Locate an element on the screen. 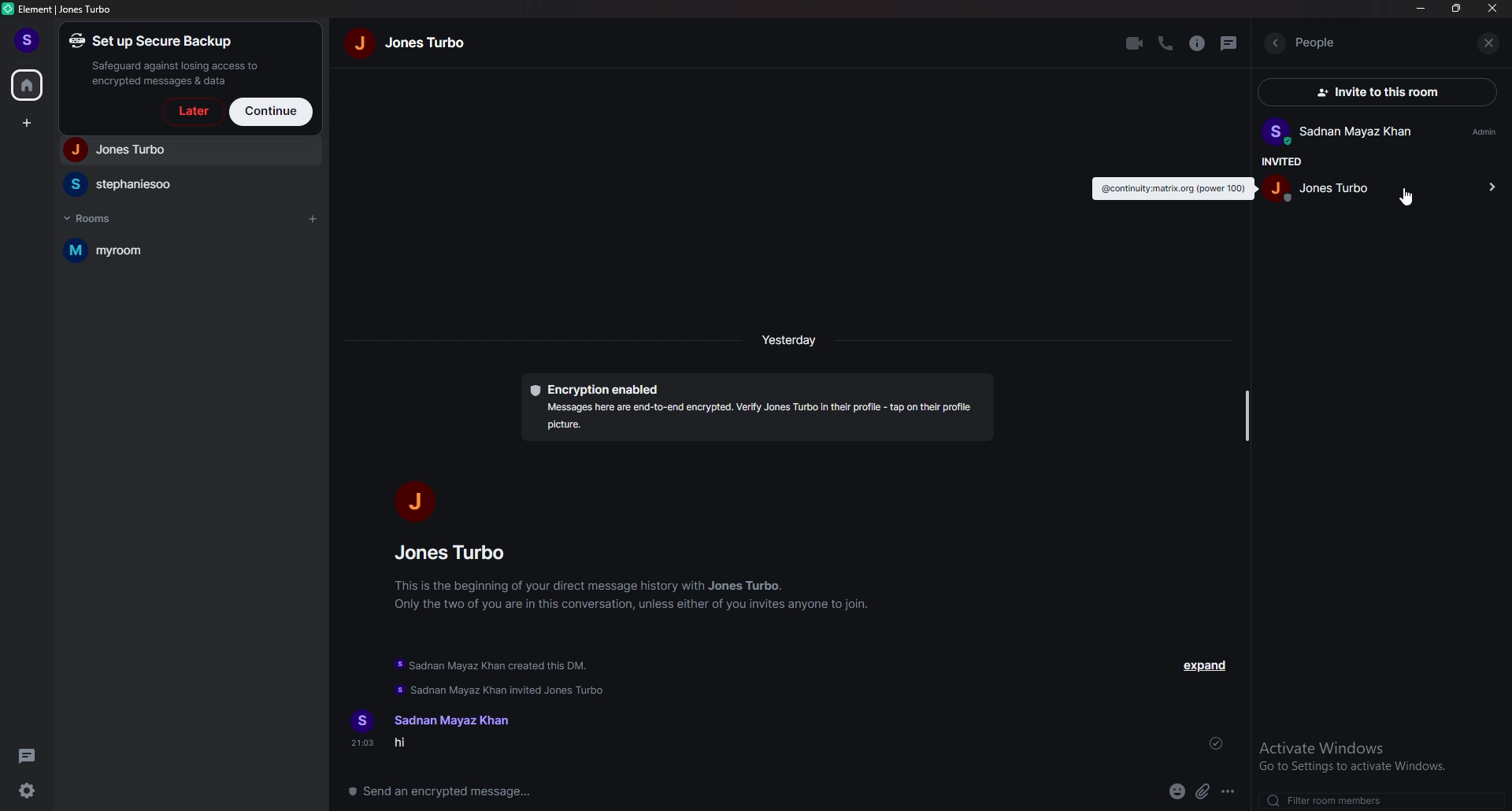 Image resolution: width=1512 pixels, height=811 pixels. element is located at coordinates (60, 9).